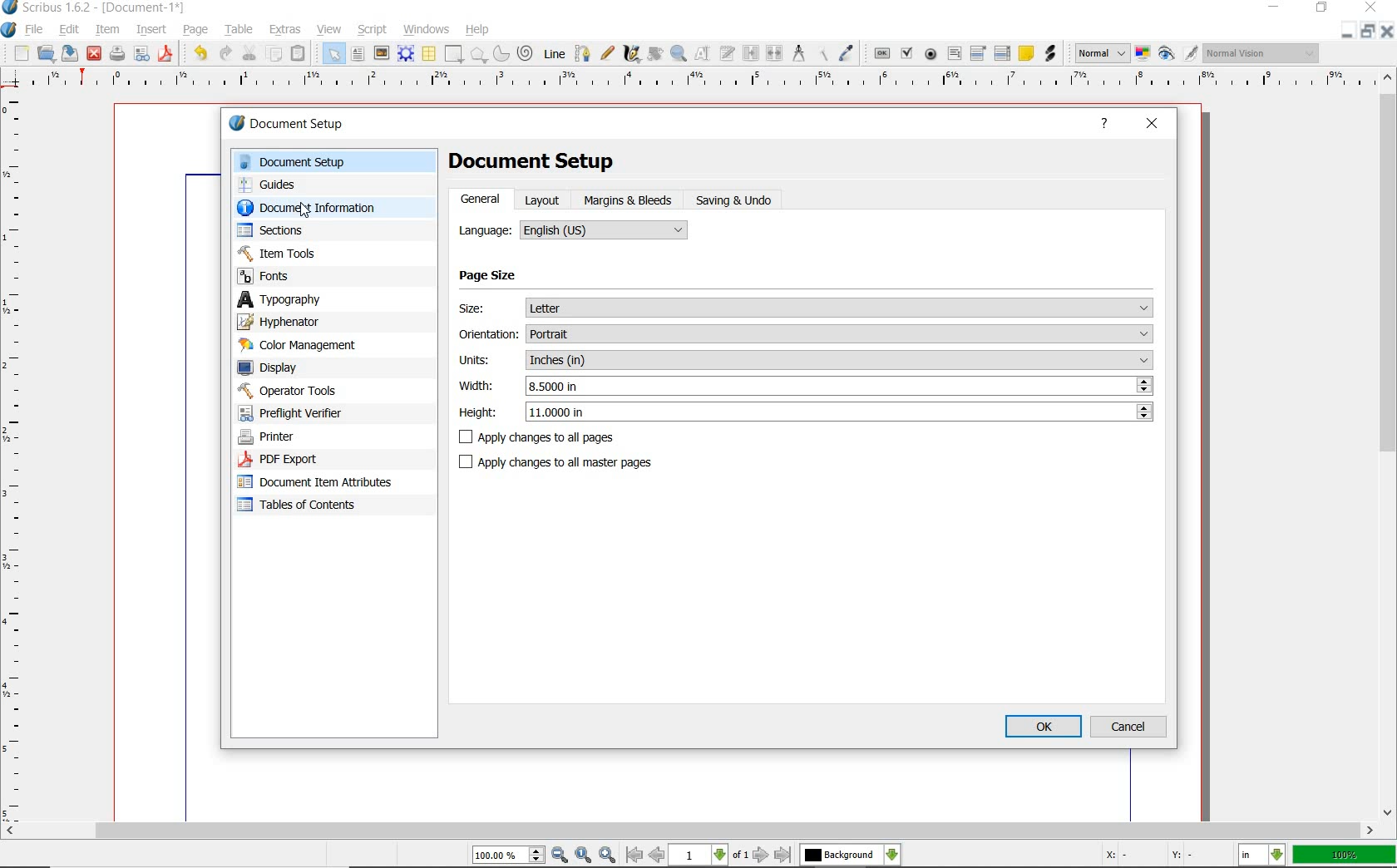 Image resolution: width=1397 pixels, height=868 pixels. What do you see at coordinates (165, 56) in the screenshot?
I see `save as pdf` at bounding box center [165, 56].